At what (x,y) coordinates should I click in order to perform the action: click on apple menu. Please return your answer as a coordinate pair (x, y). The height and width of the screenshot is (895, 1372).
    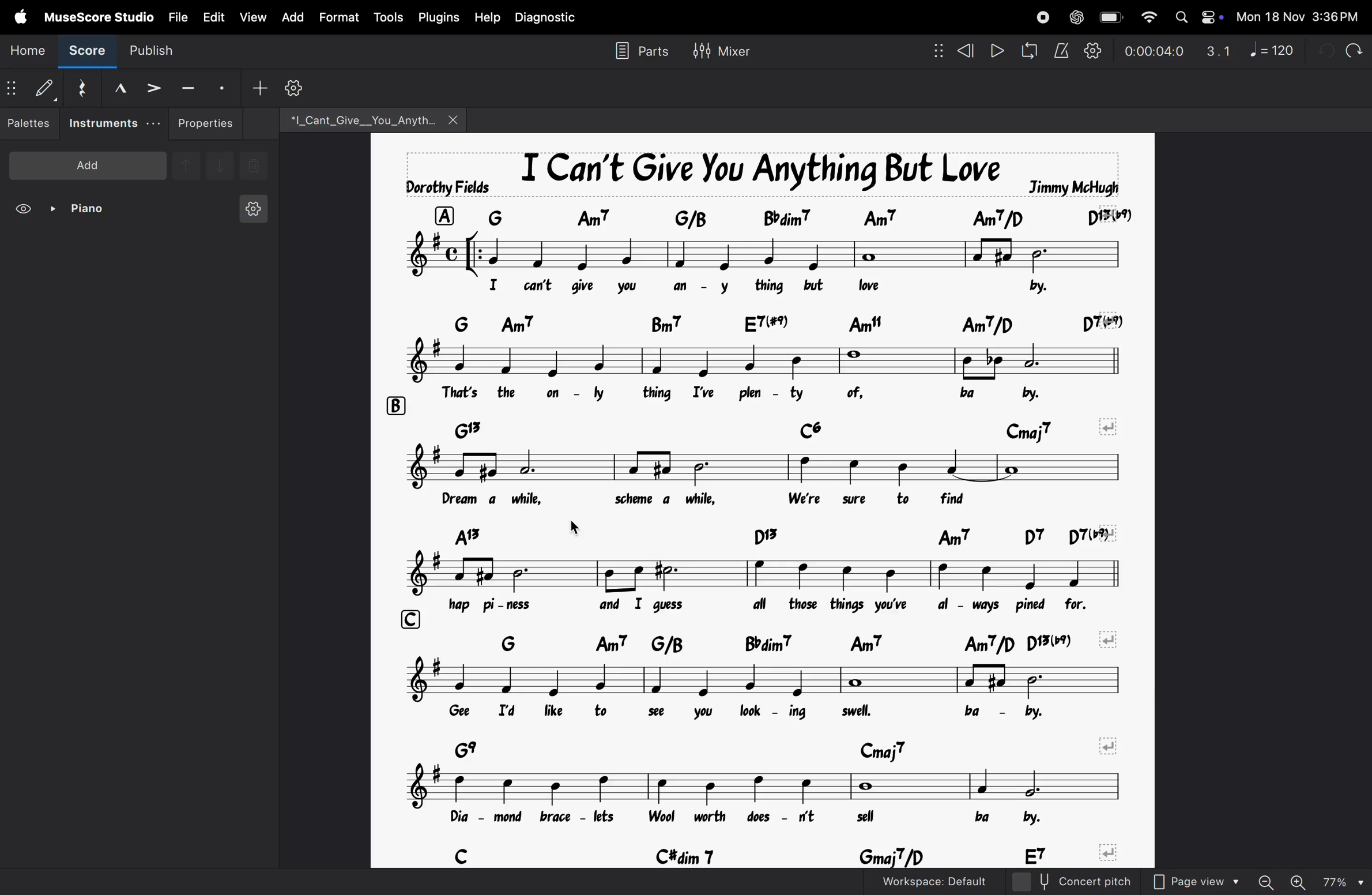
    Looking at the image, I should click on (16, 17).